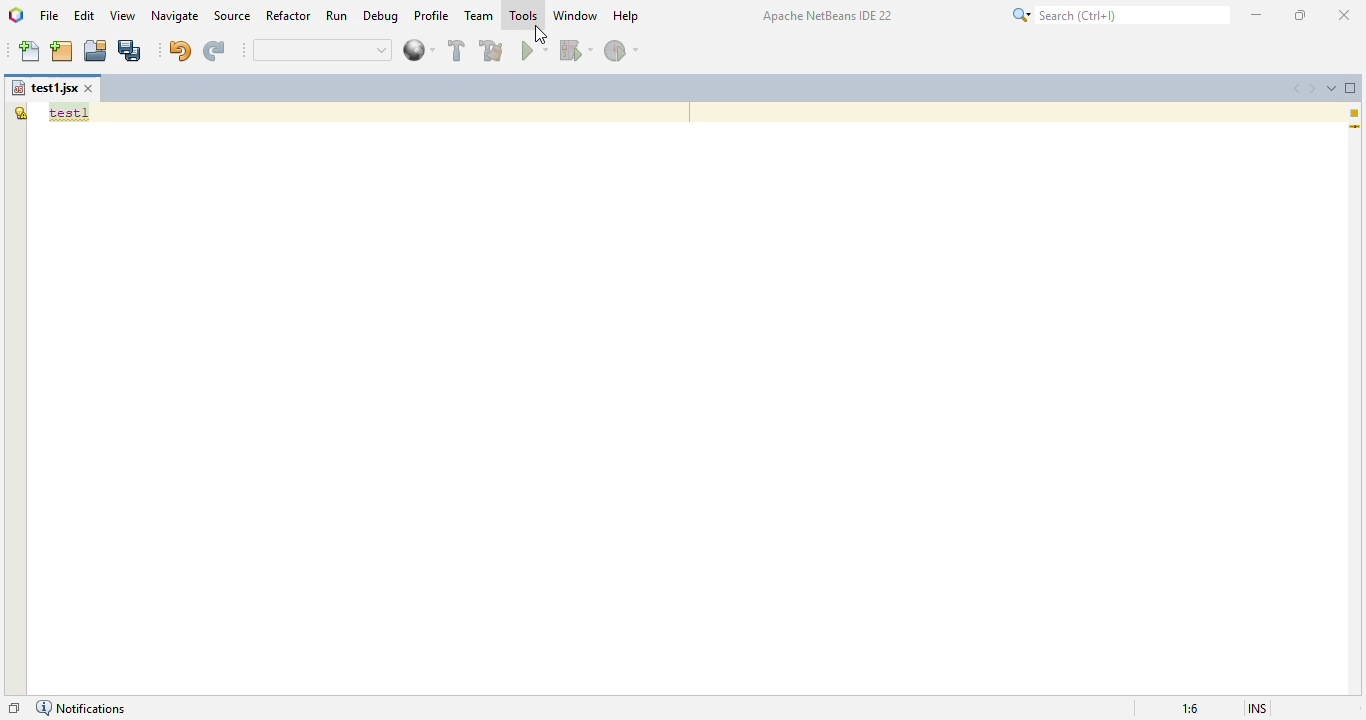 The height and width of the screenshot is (720, 1366). I want to click on 1 warning, so click(1357, 113).